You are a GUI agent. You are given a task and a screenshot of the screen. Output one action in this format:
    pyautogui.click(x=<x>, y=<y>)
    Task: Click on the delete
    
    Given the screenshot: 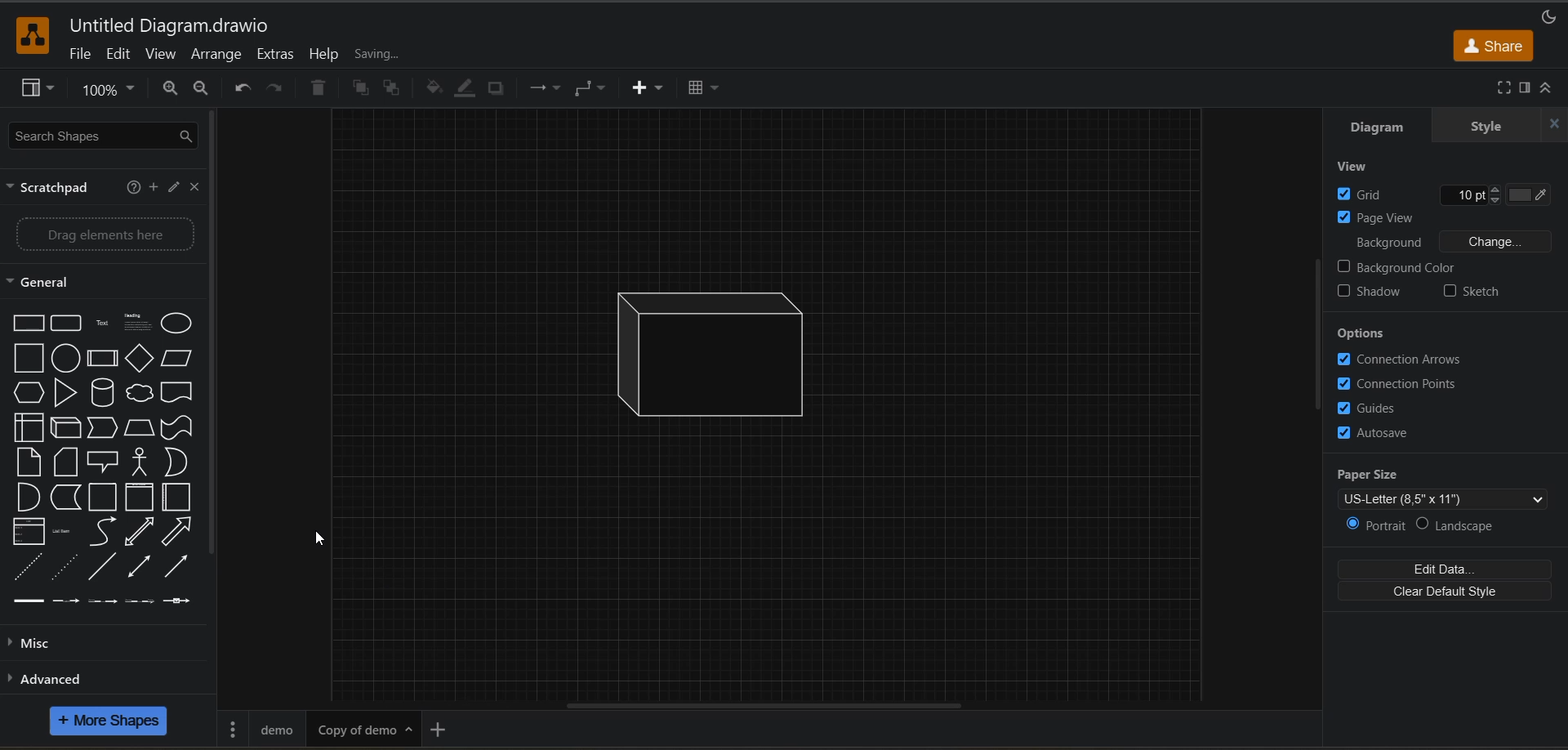 What is the action you would take?
    pyautogui.click(x=318, y=87)
    